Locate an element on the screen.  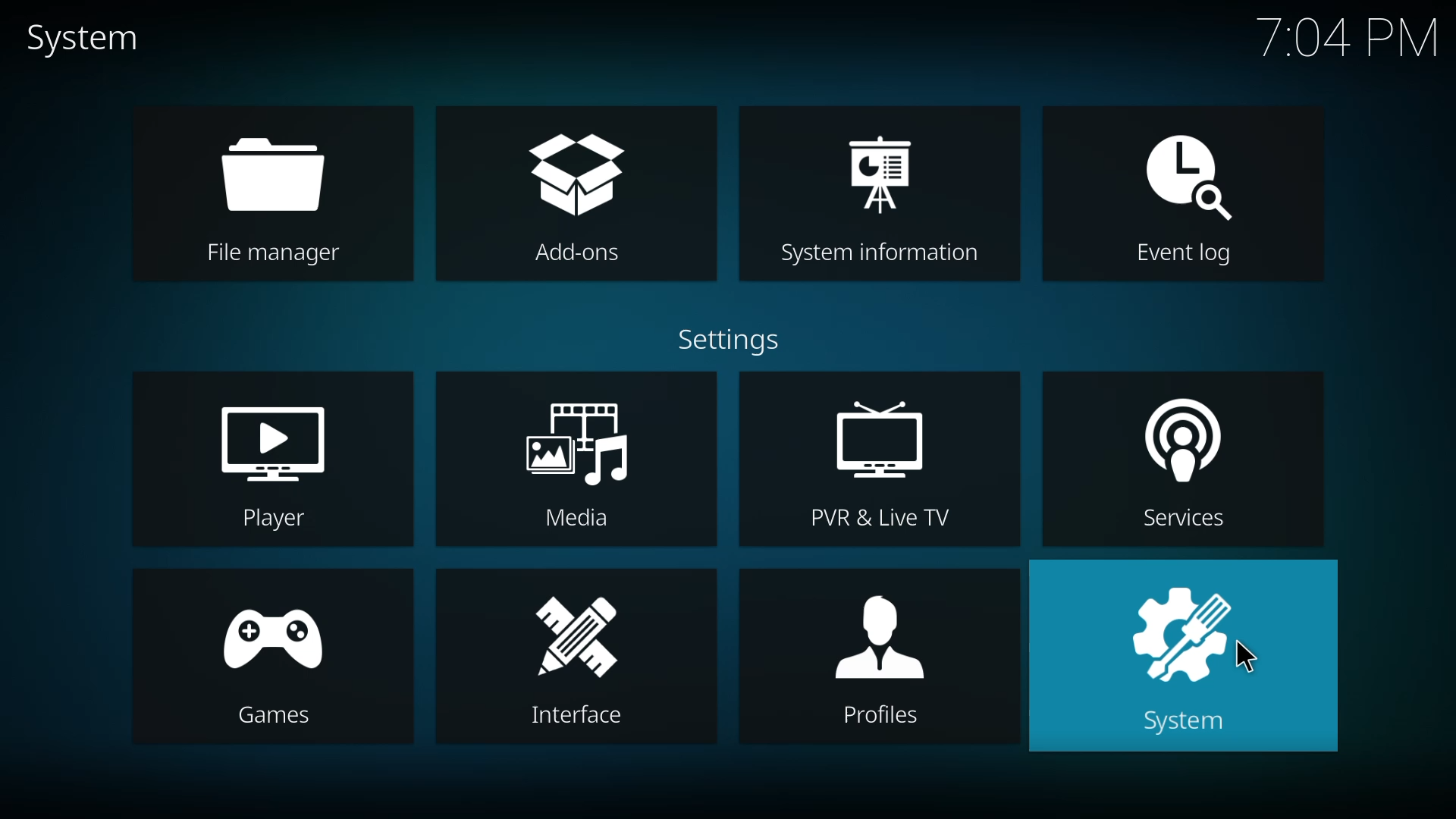
settings is located at coordinates (725, 337).